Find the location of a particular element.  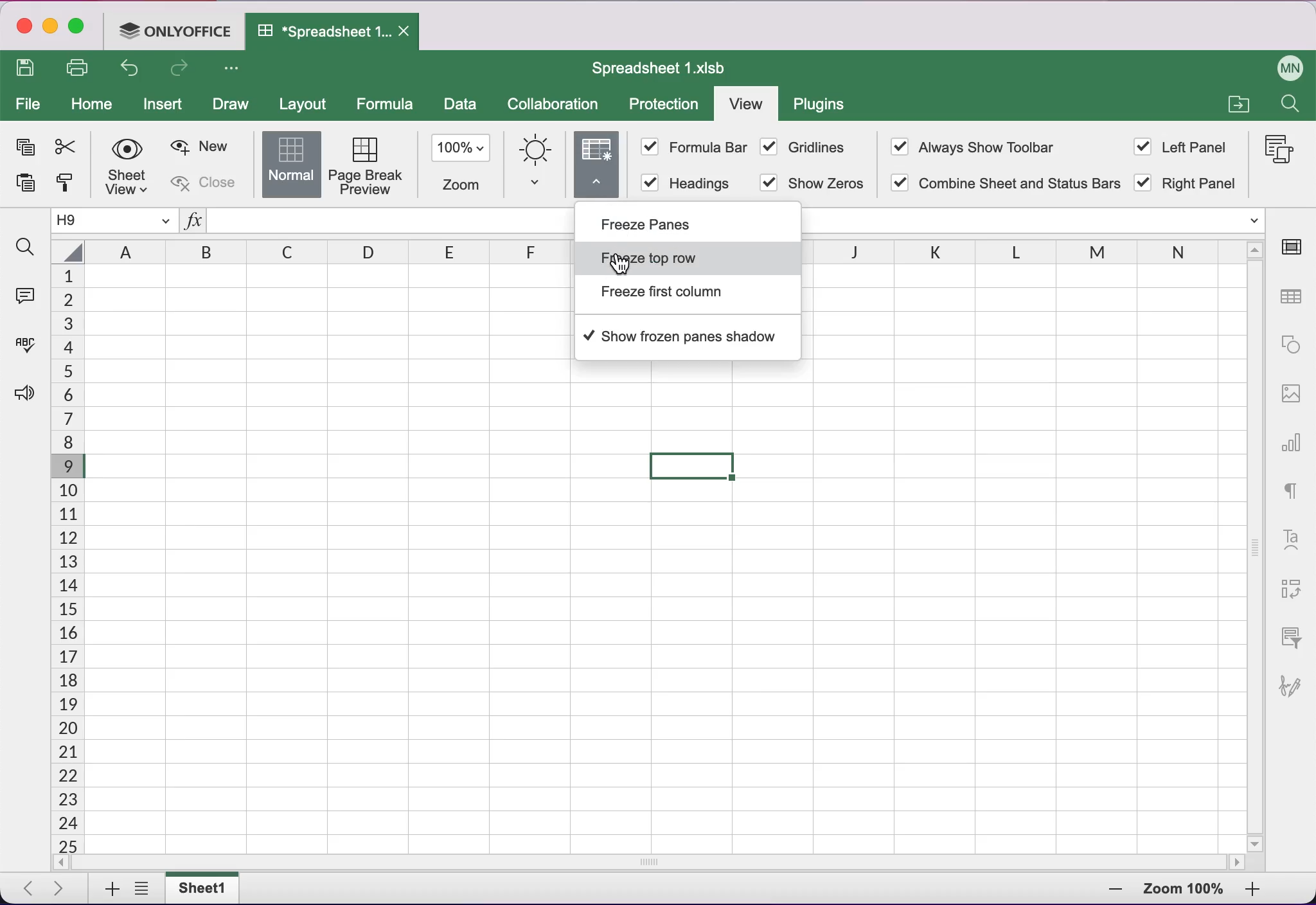

spreadsheet tab is located at coordinates (334, 32).